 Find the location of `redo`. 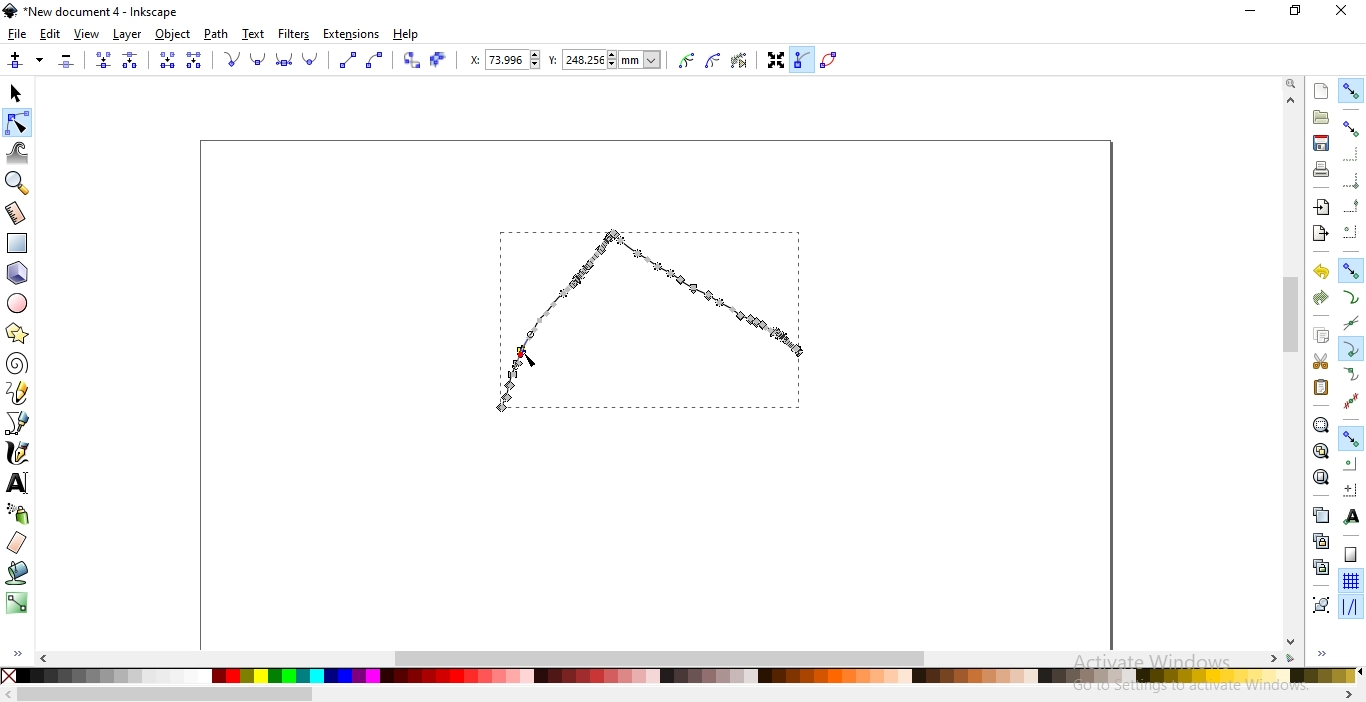

redo is located at coordinates (1320, 298).